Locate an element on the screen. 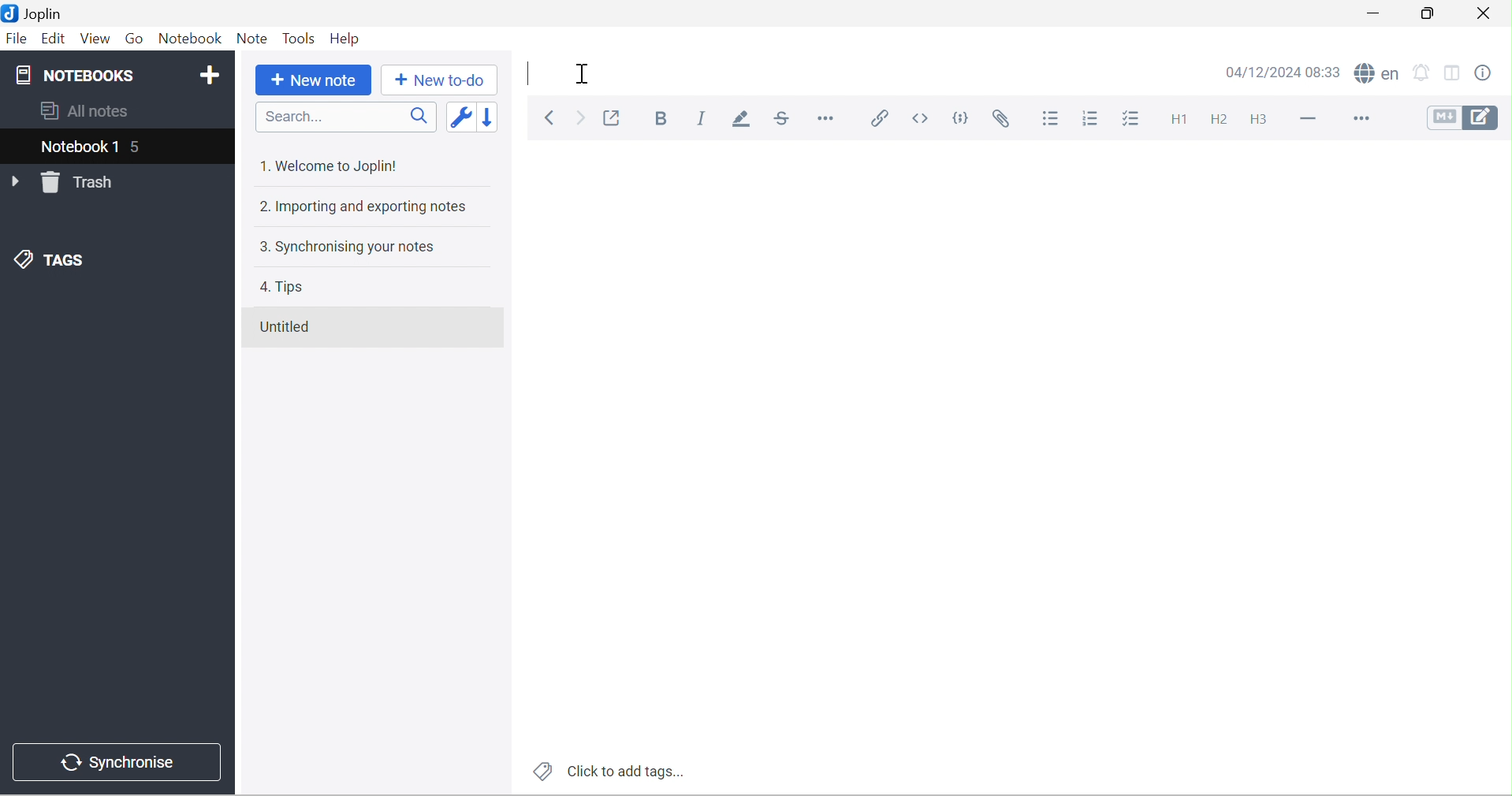 The image size is (1512, 796). Drop Down is located at coordinates (13, 183).